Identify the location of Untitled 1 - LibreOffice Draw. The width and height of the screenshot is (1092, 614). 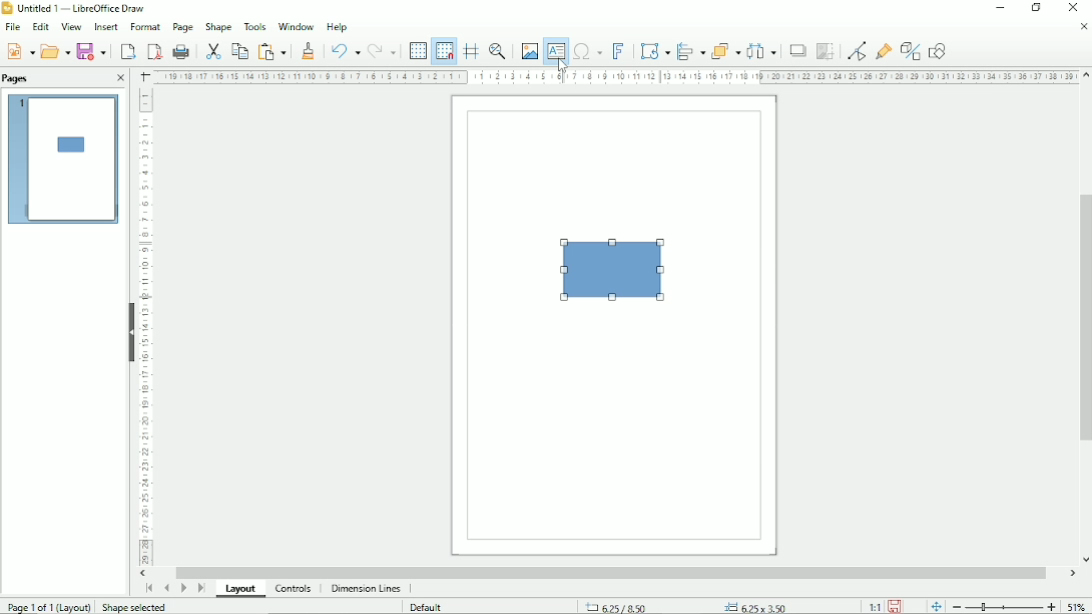
(77, 7).